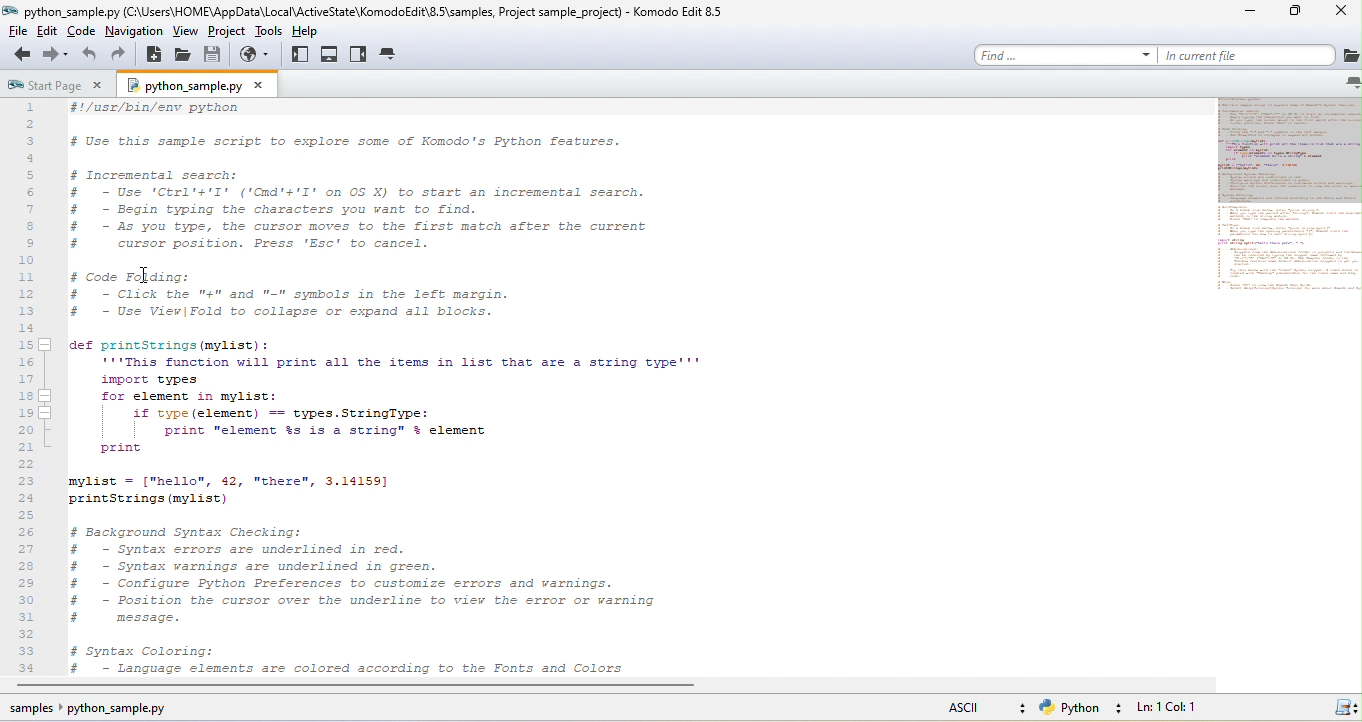 This screenshot has width=1362, height=722. Describe the element at coordinates (1067, 54) in the screenshot. I see `find` at that location.